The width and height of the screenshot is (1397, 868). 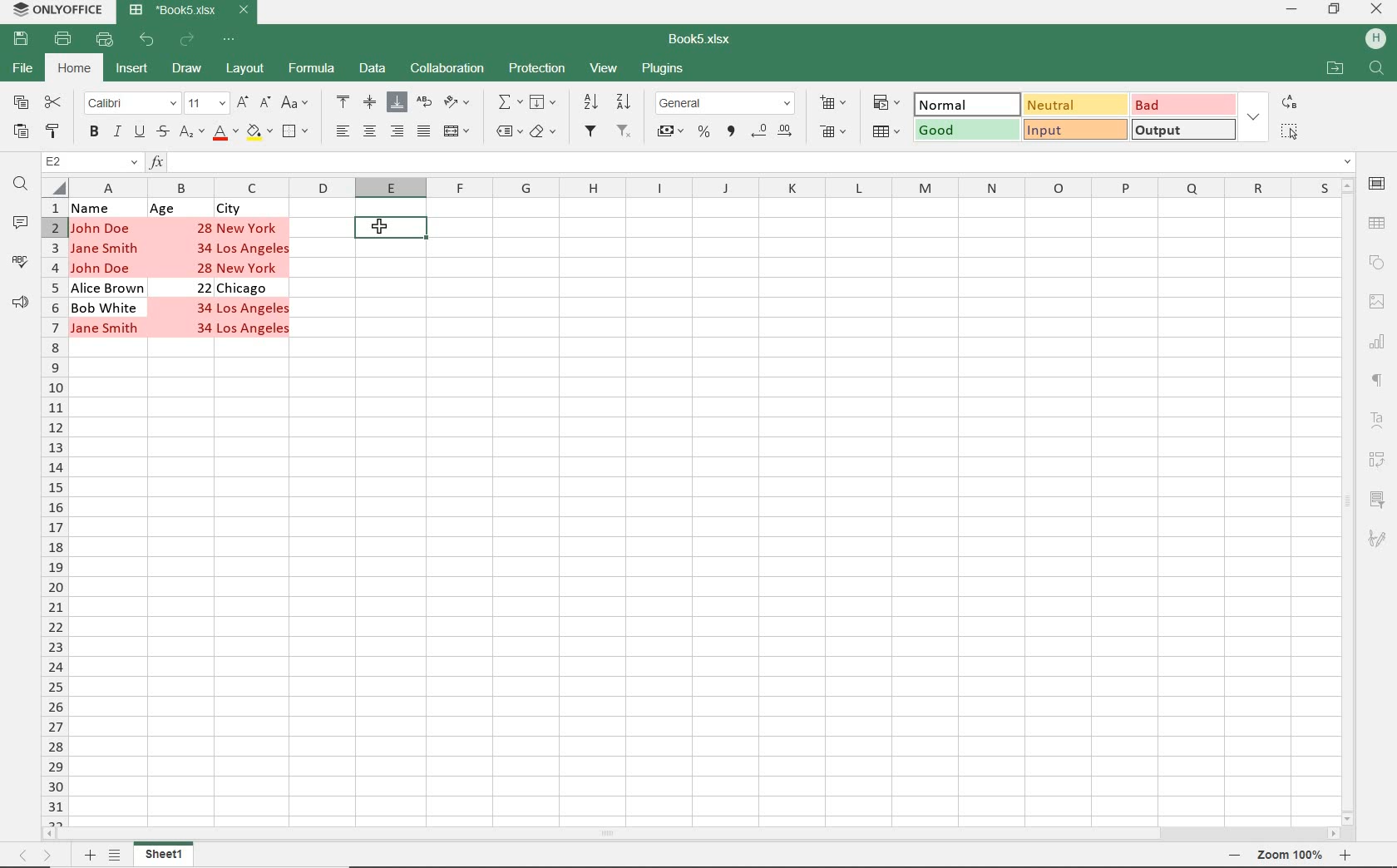 What do you see at coordinates (886, 102) in the screenshot?
I see `CONDITIONAL FORMATTING` at bounding box center [886, 102].